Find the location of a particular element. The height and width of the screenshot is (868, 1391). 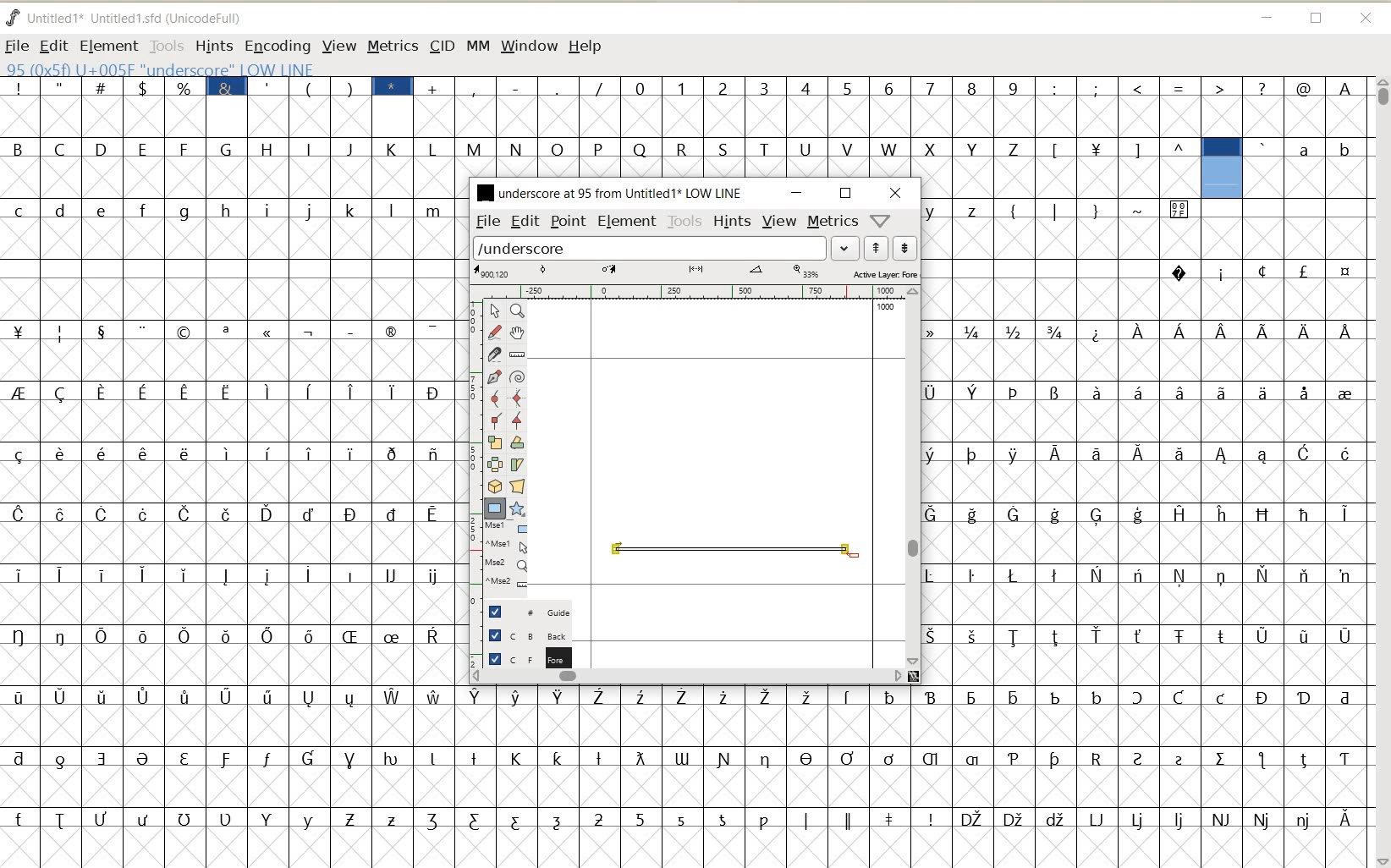

FILE is located at coordinates (487, 222).